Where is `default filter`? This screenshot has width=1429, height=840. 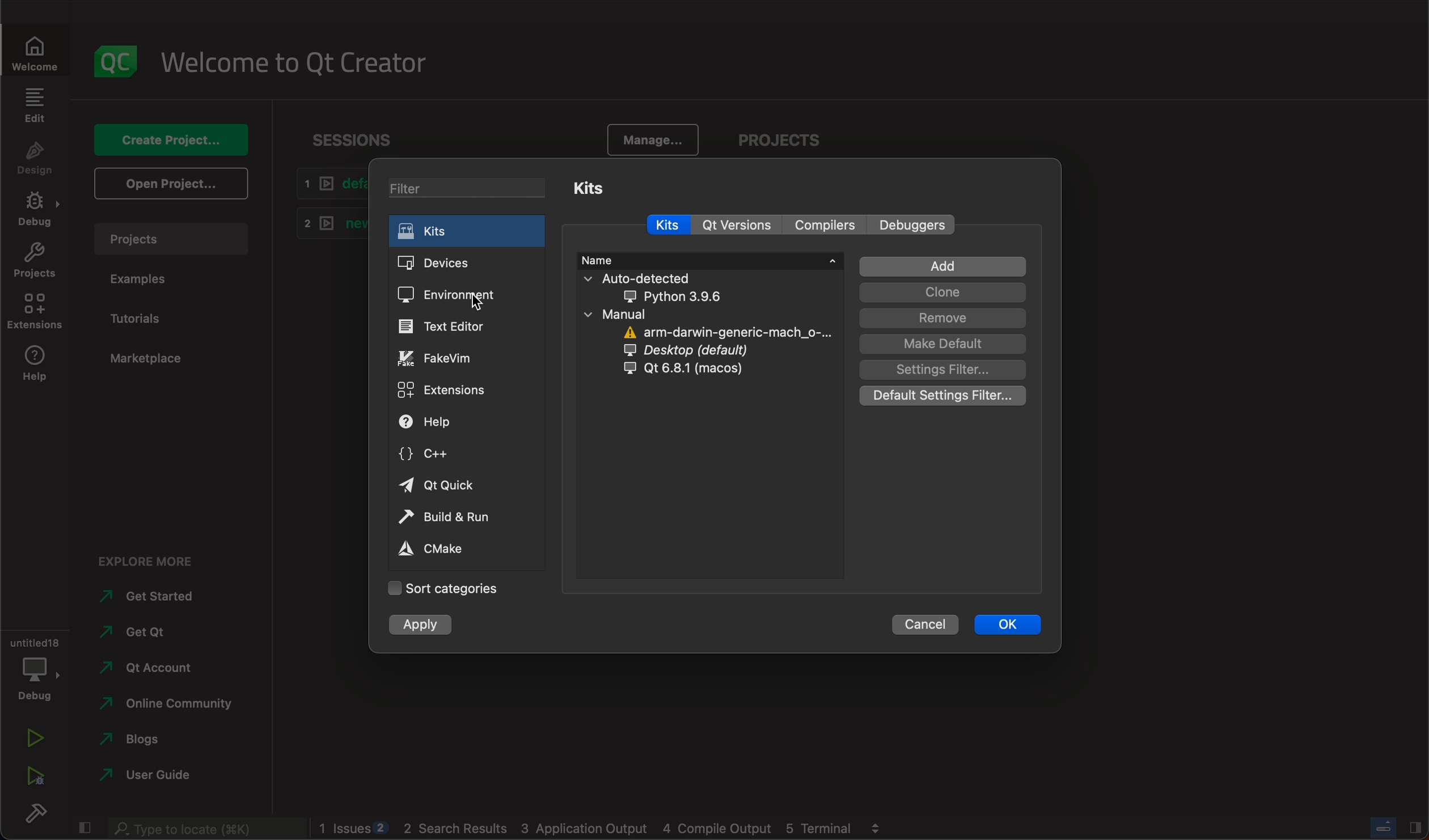 default filter is located at coordinates (940, 397).